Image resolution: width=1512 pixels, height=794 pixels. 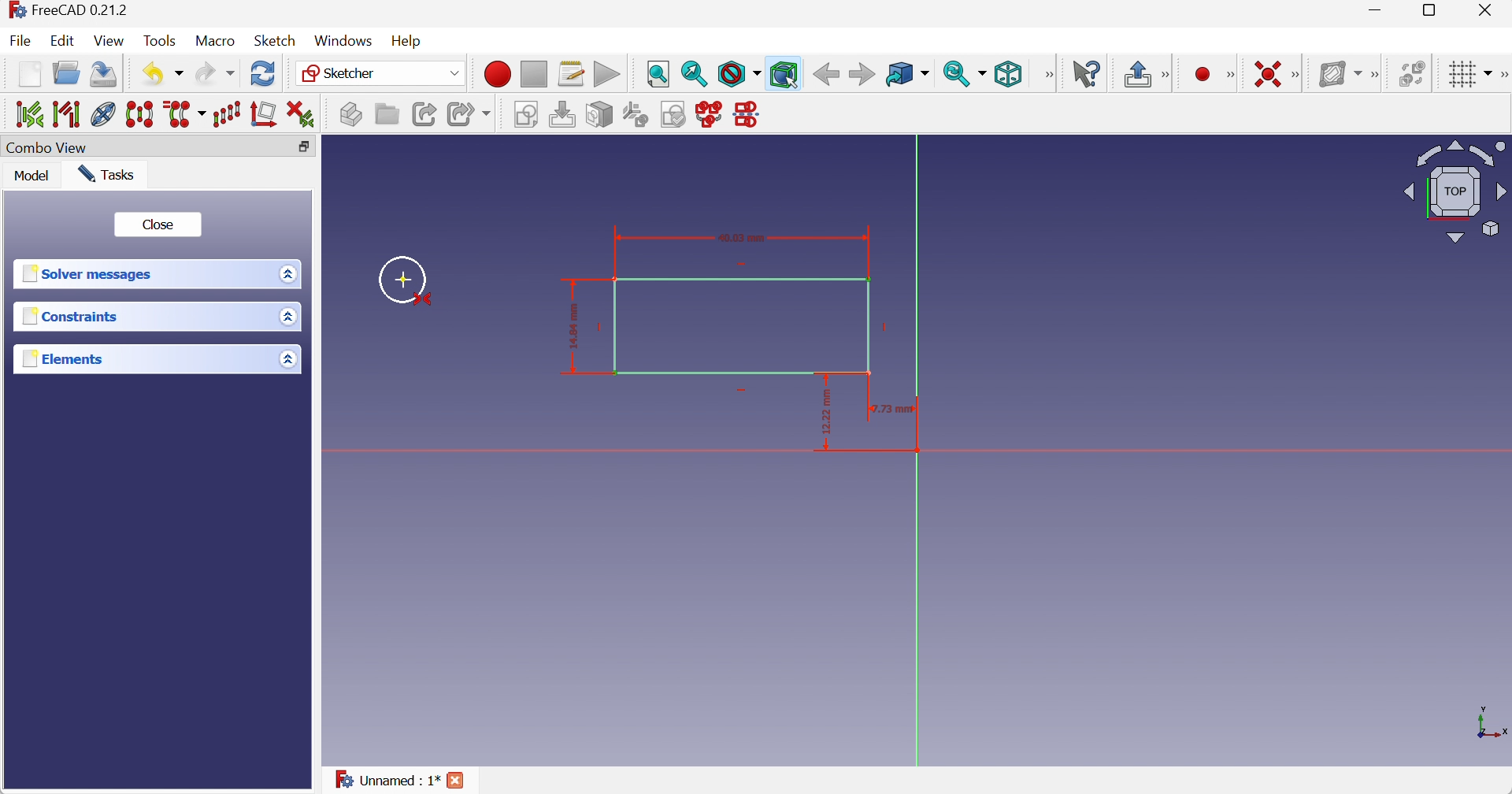 I want to click on Make link, so click(x=425, y=114).